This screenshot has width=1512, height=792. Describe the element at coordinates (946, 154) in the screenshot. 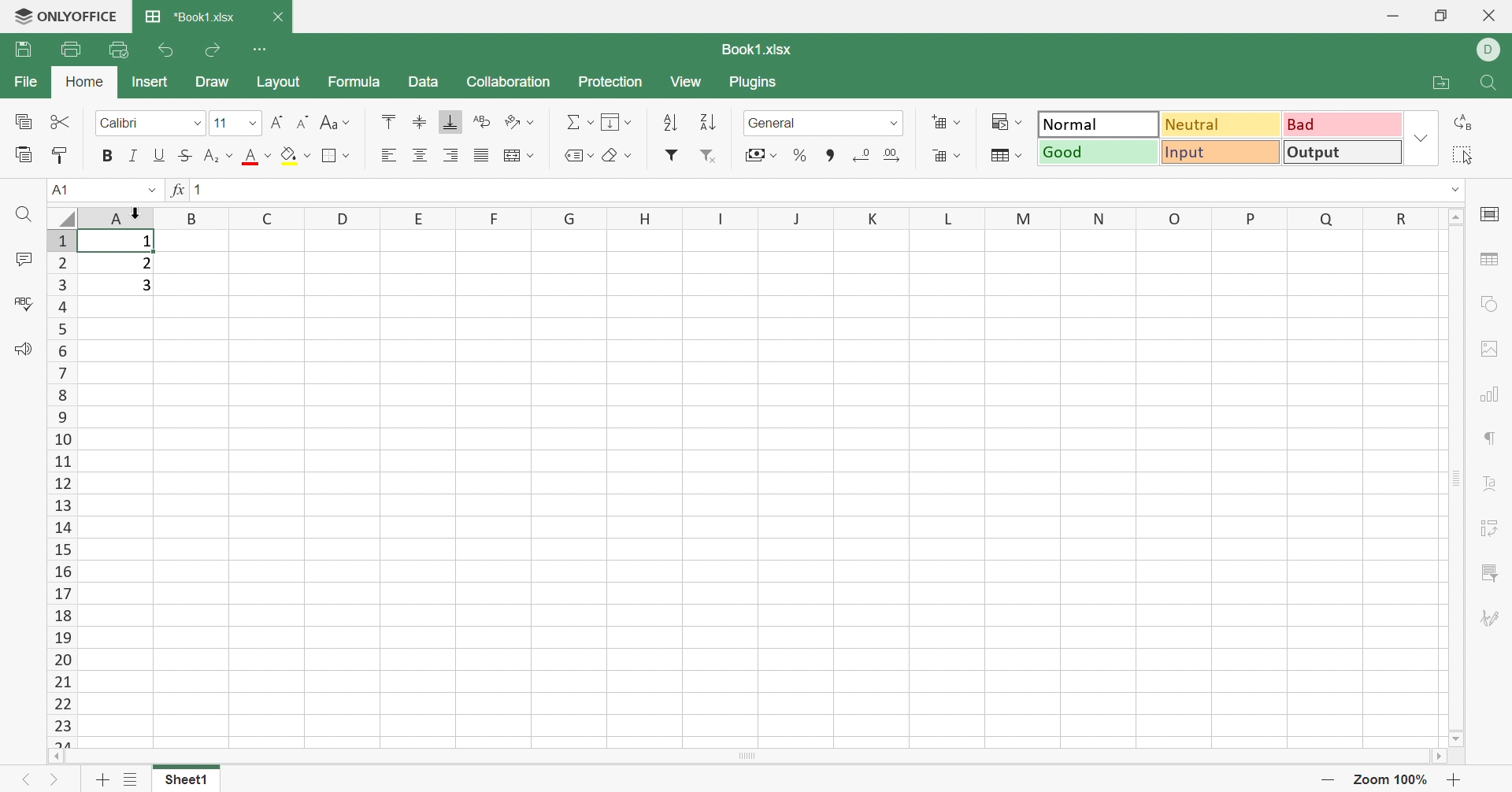

I see `Delete cells` at that location.